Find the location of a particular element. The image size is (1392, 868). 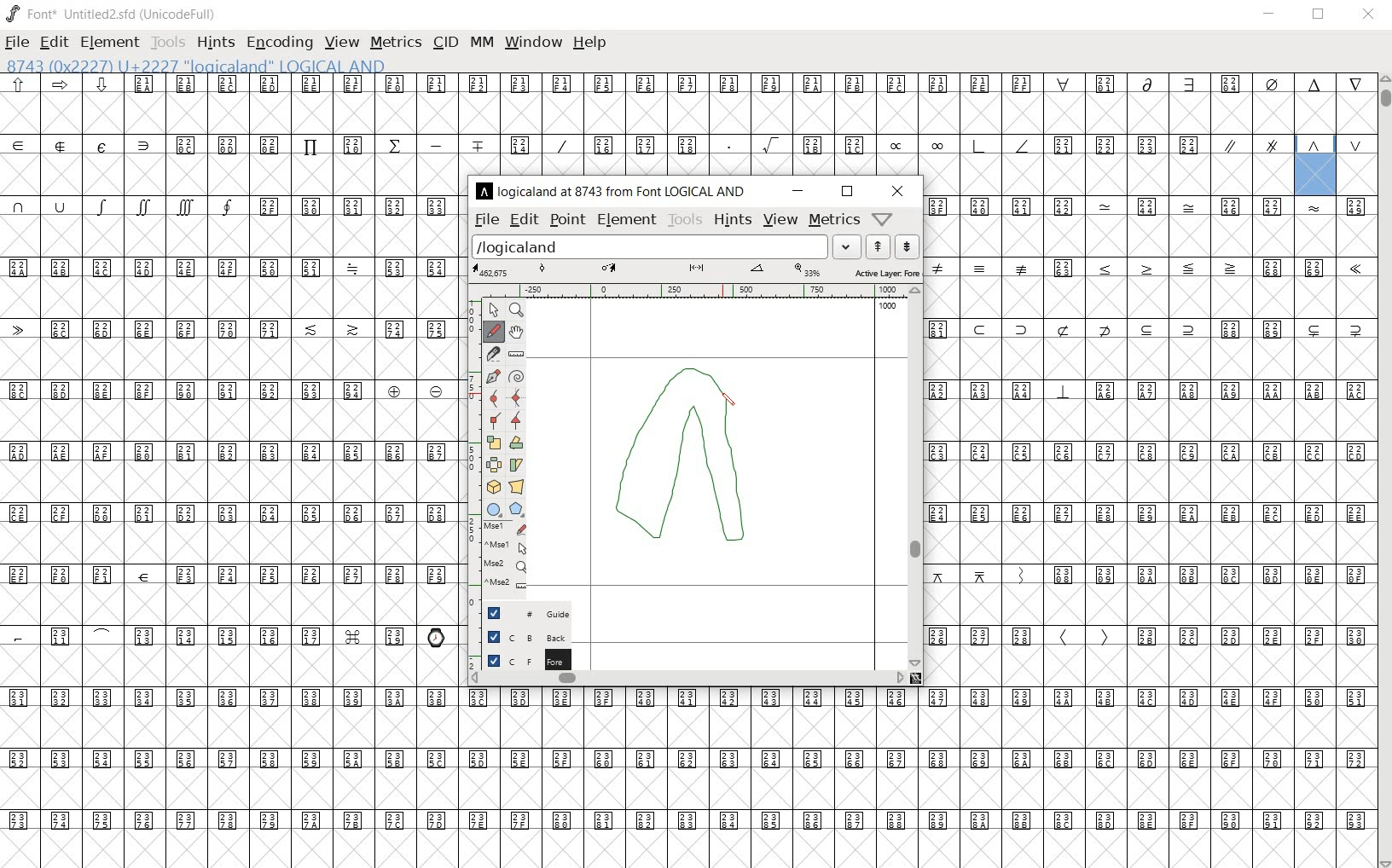

point is located at coordinates (567, 220).